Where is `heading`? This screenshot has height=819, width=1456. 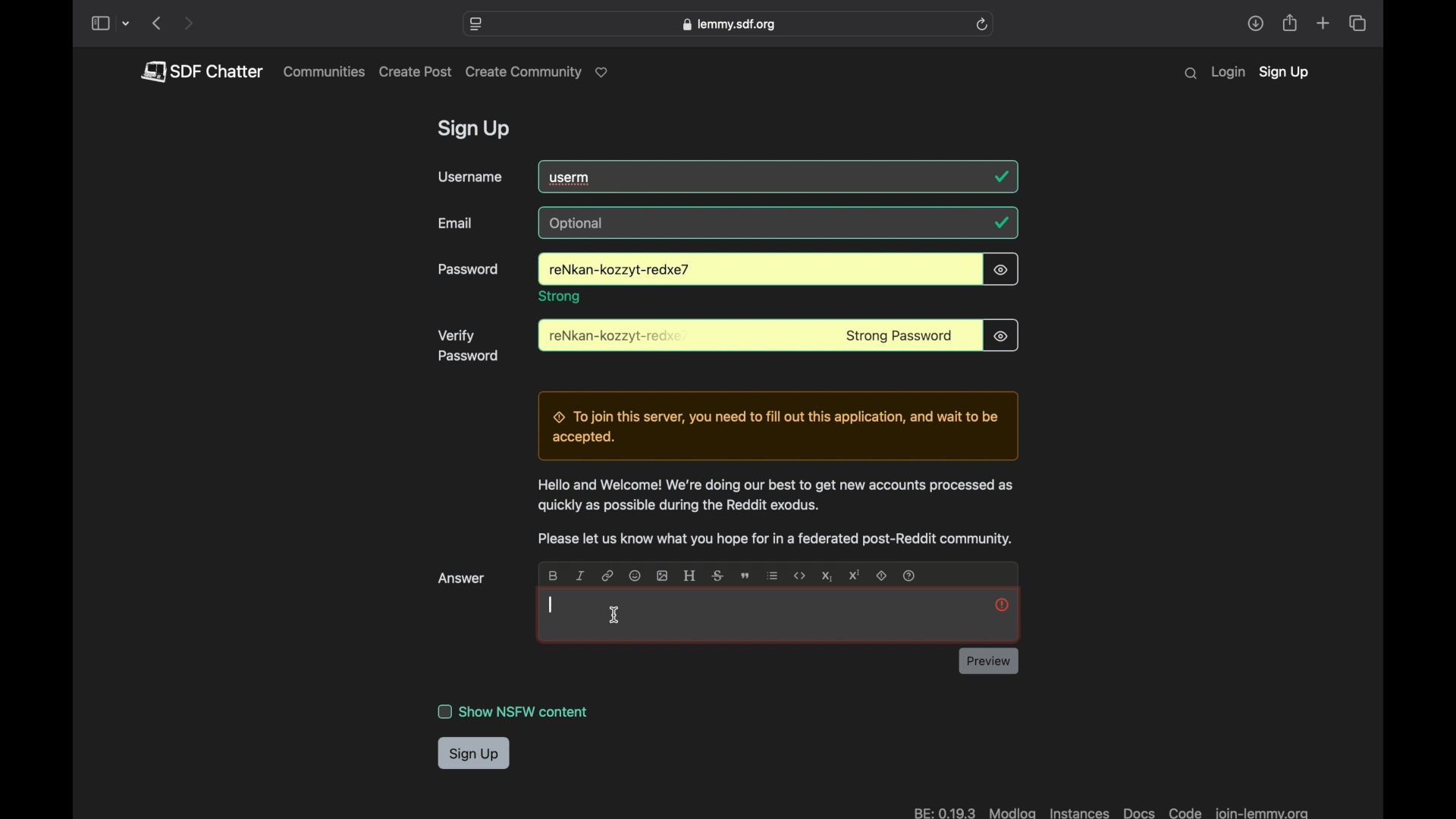 heading is located at coordinates (689, 576).